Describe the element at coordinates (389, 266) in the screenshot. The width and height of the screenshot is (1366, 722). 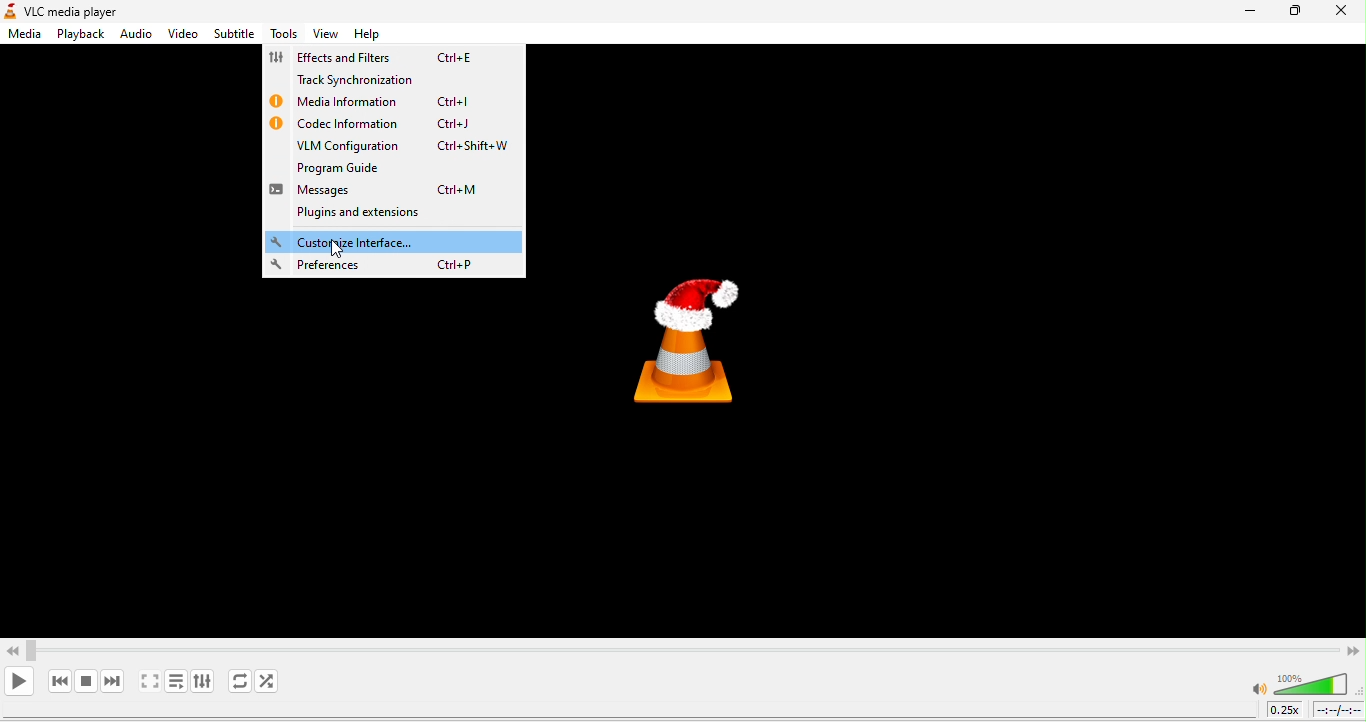
I see `preference` at that location.